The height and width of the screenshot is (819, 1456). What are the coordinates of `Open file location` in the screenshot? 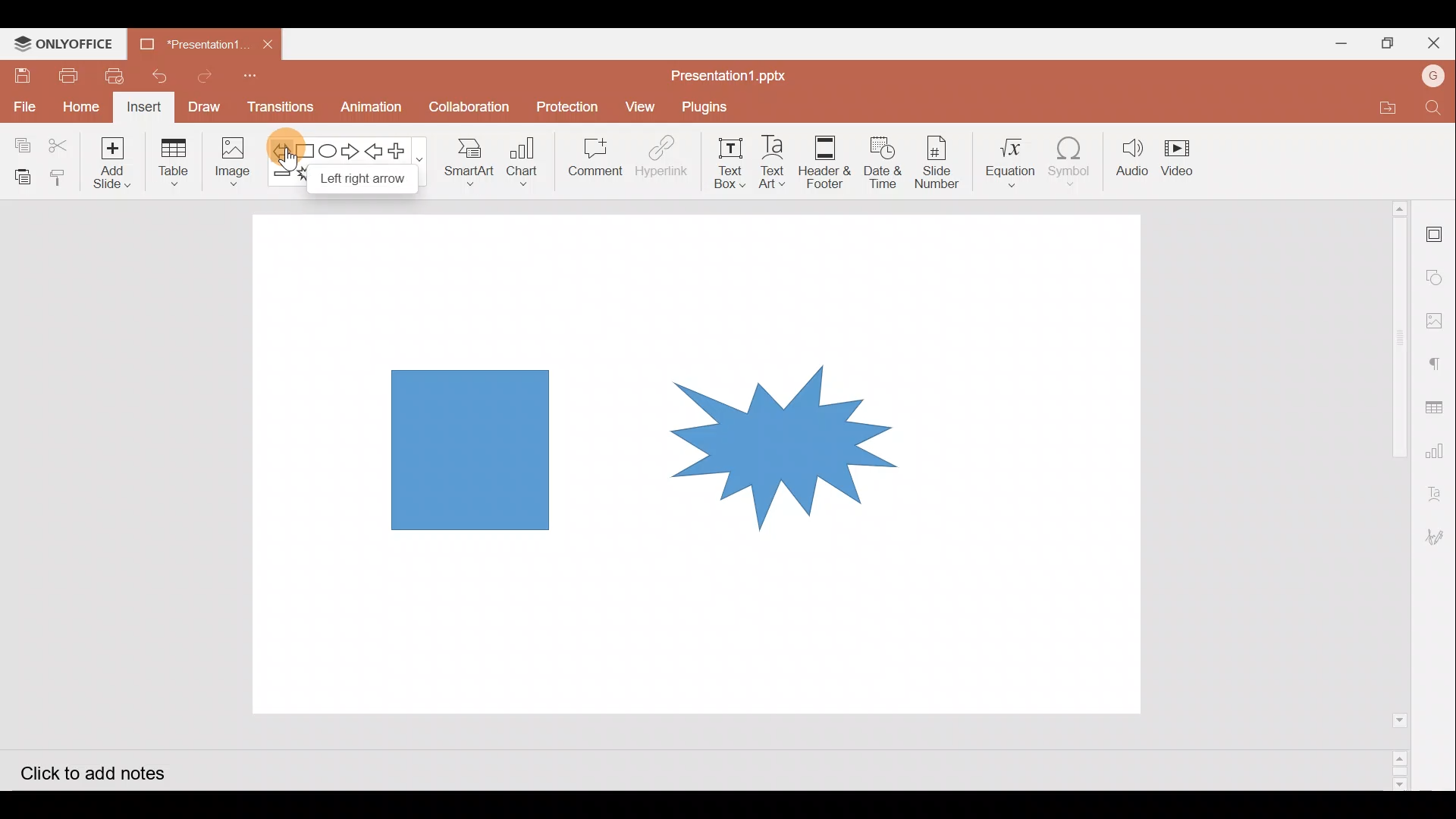 It's located at (1383, 105).